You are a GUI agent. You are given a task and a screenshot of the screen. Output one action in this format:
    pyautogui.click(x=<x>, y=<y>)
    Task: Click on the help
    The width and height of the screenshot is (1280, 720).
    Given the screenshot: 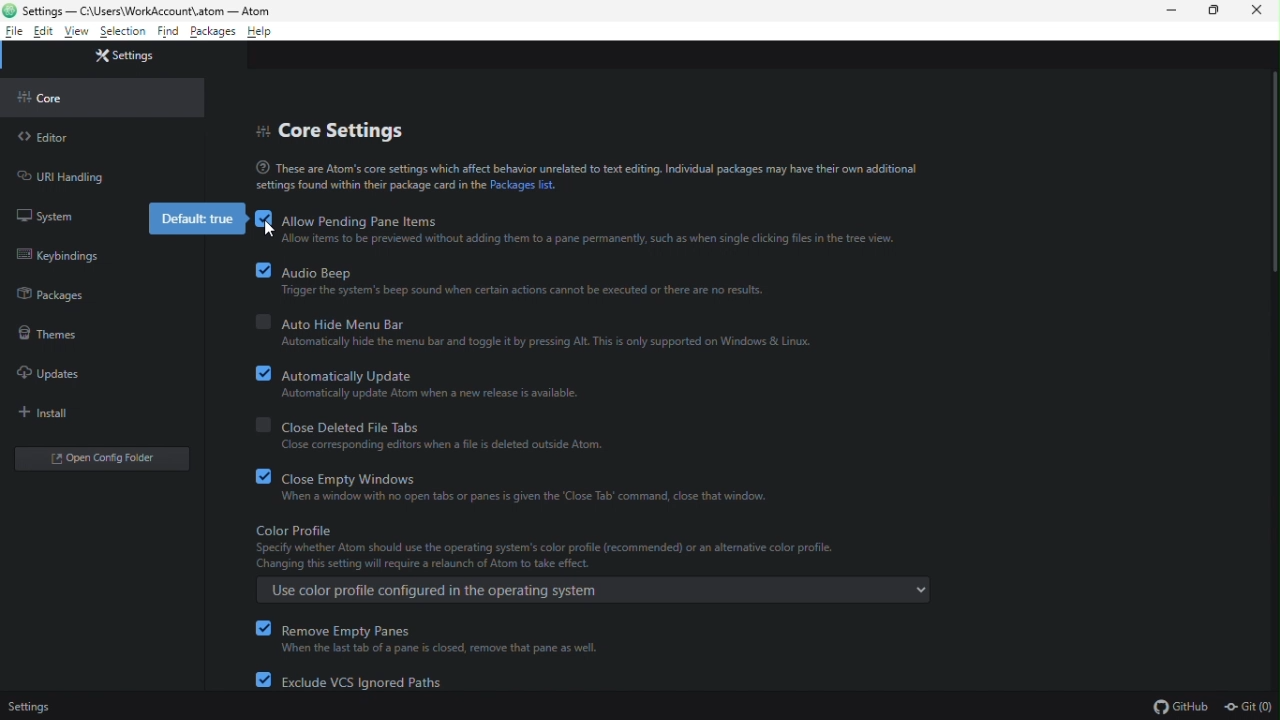 What is the action you would take?
    pyautogui.click(x=266, y=31)
    